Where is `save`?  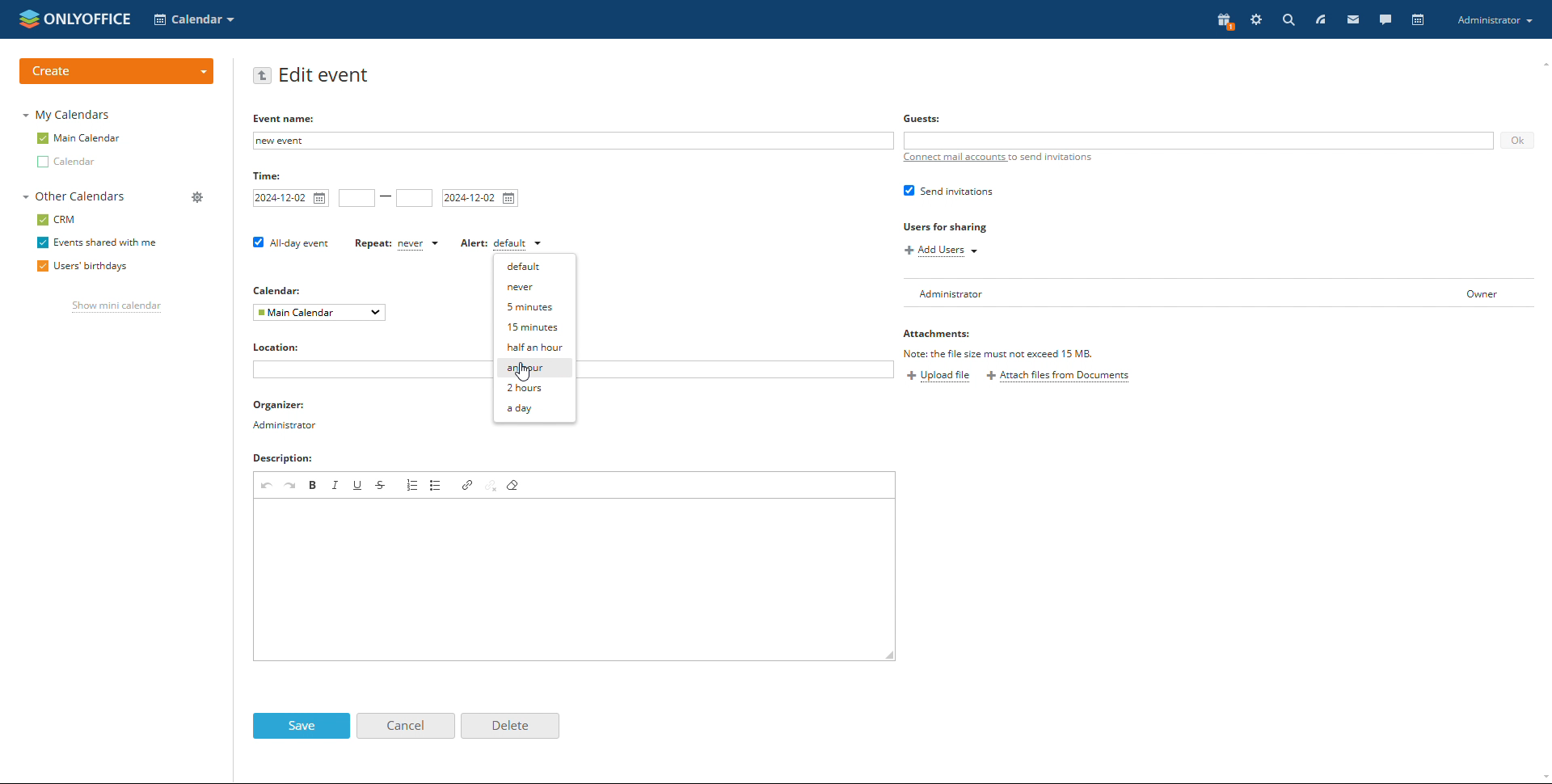 save is located at coordinates (301, 726).